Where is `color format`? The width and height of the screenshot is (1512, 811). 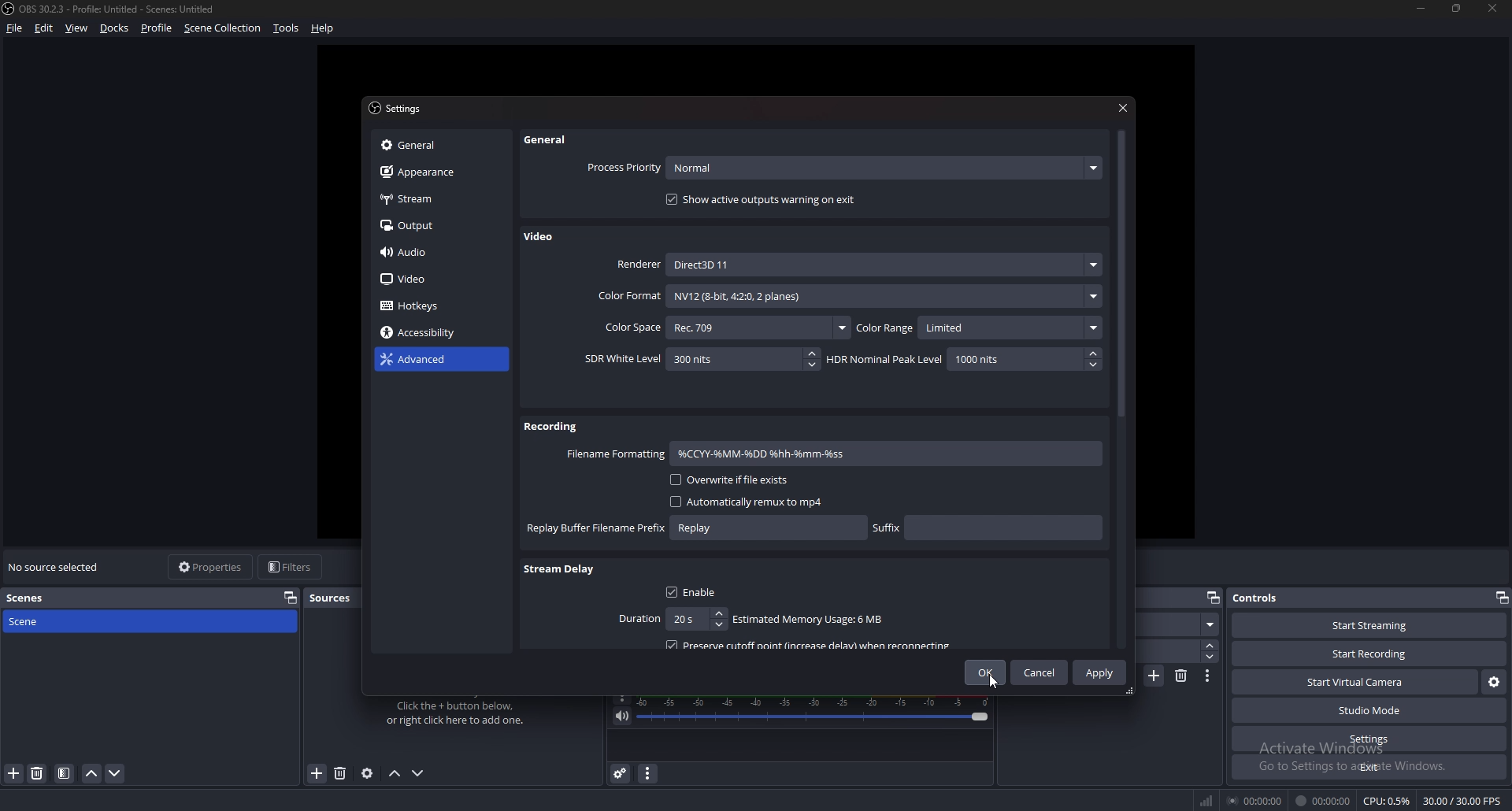
color format is located at coordinates (628, 296).